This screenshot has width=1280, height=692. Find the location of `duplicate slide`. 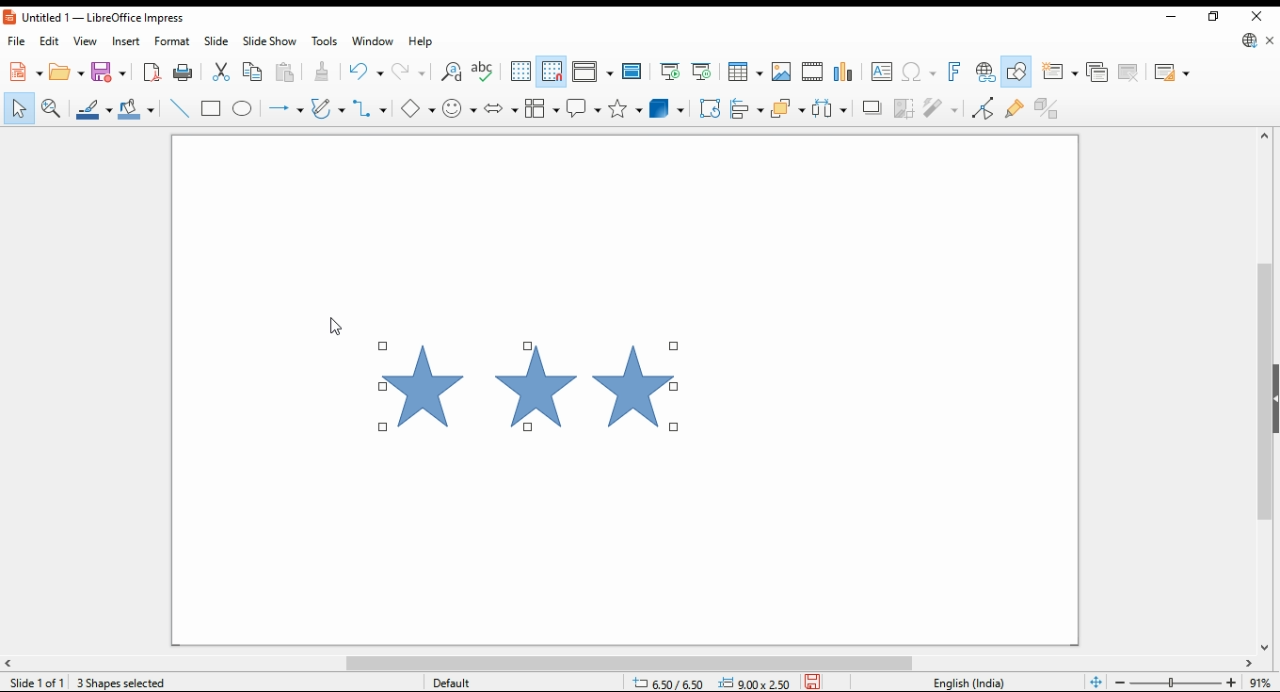

duplicate slide is located at coordinates (1098, 72).